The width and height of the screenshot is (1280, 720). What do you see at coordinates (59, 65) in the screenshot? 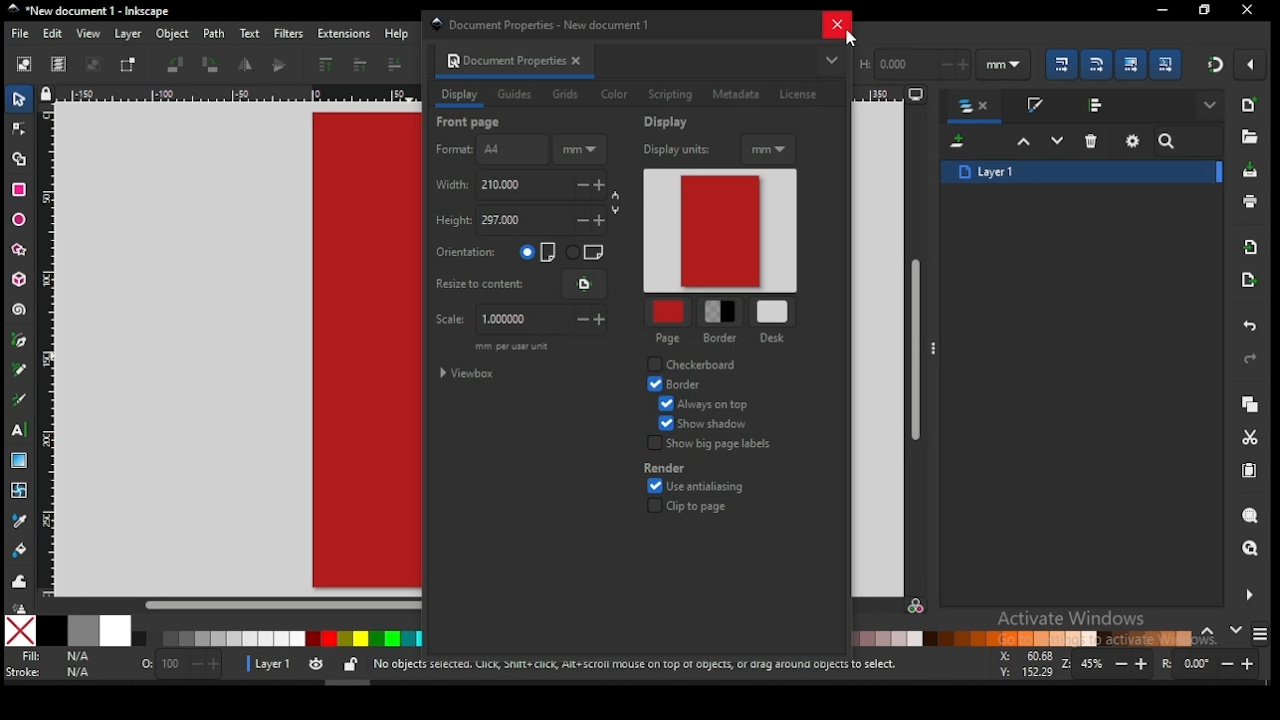
I see `select all in all layers` at bounding box center [59, 65].